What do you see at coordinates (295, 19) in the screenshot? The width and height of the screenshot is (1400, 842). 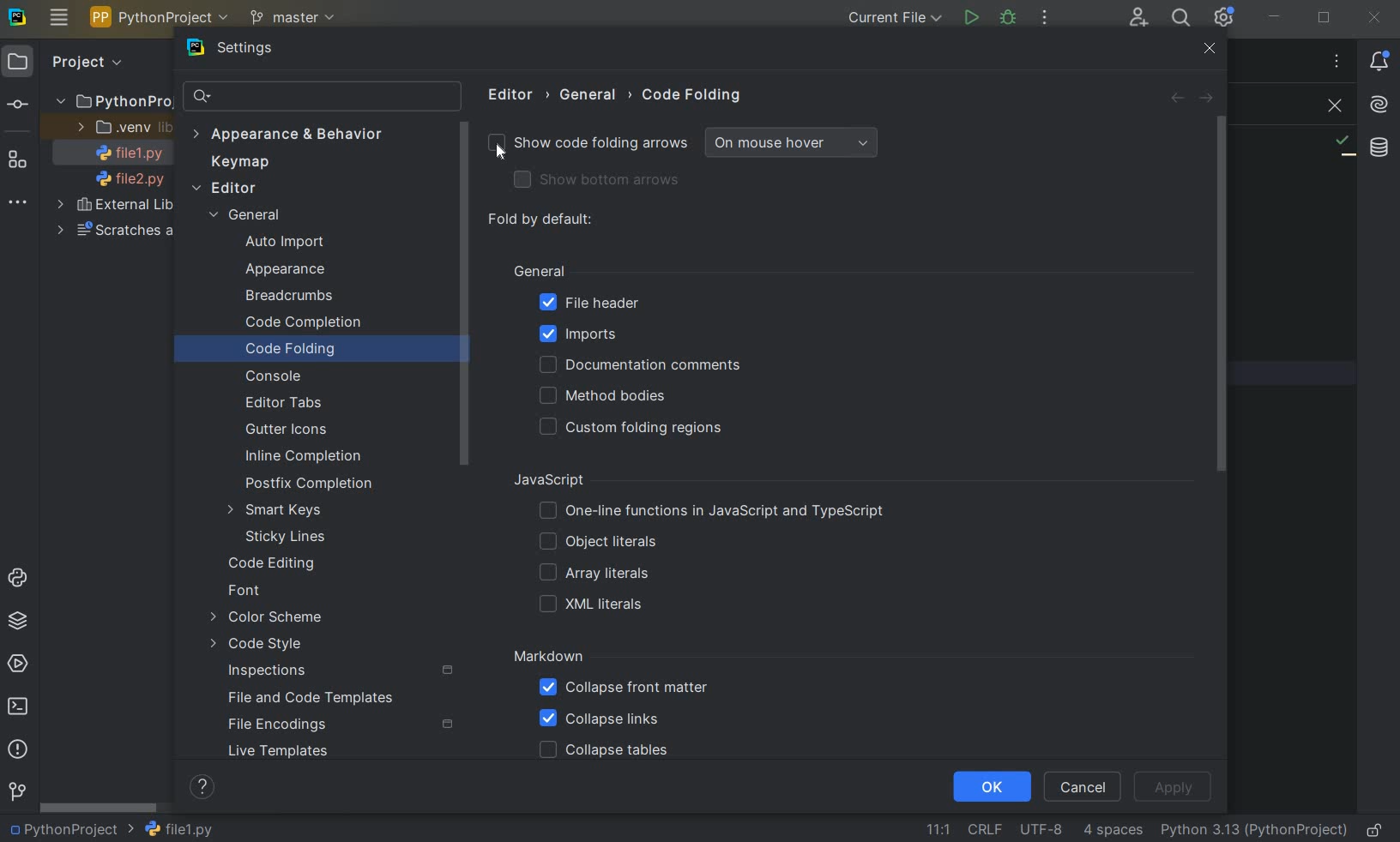 I see `MASTER` at bounding box center [295, 19].